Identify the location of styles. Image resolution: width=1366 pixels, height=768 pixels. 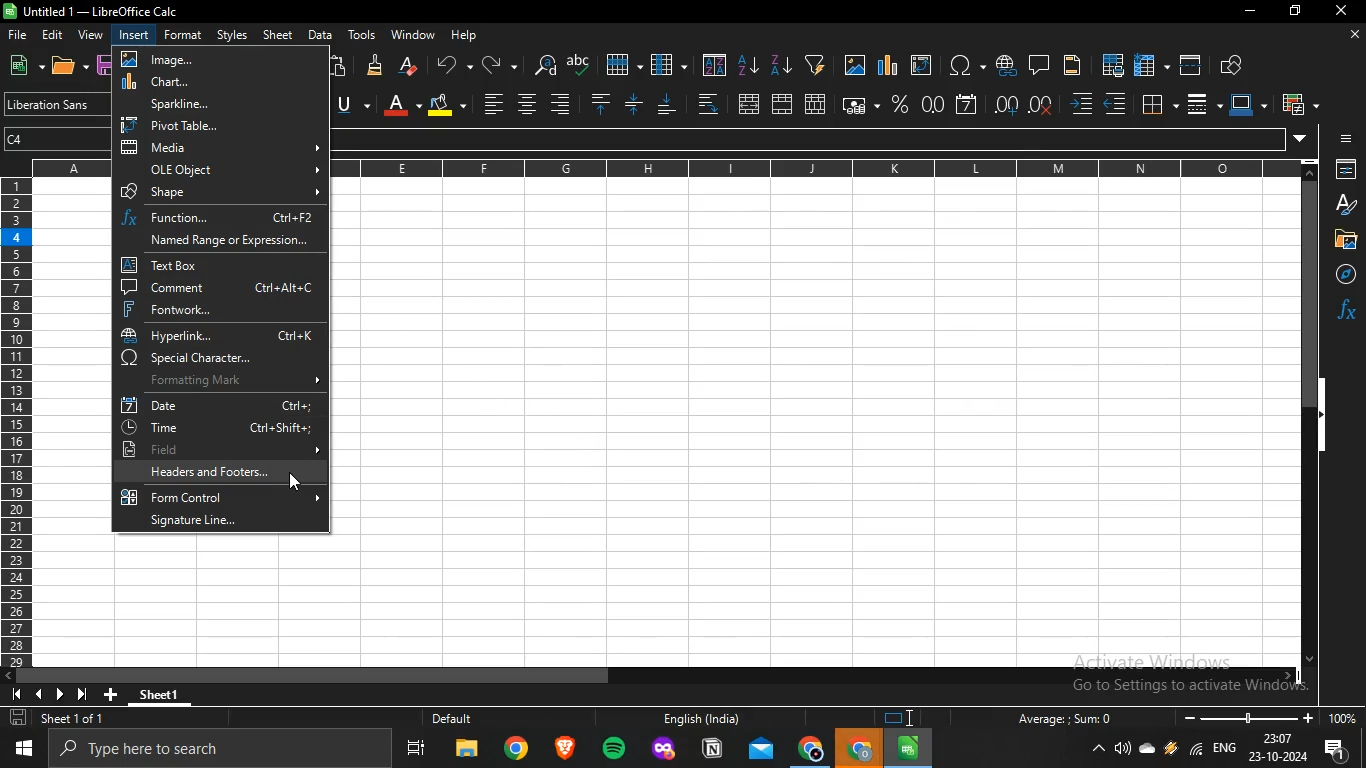
(1346, 204).